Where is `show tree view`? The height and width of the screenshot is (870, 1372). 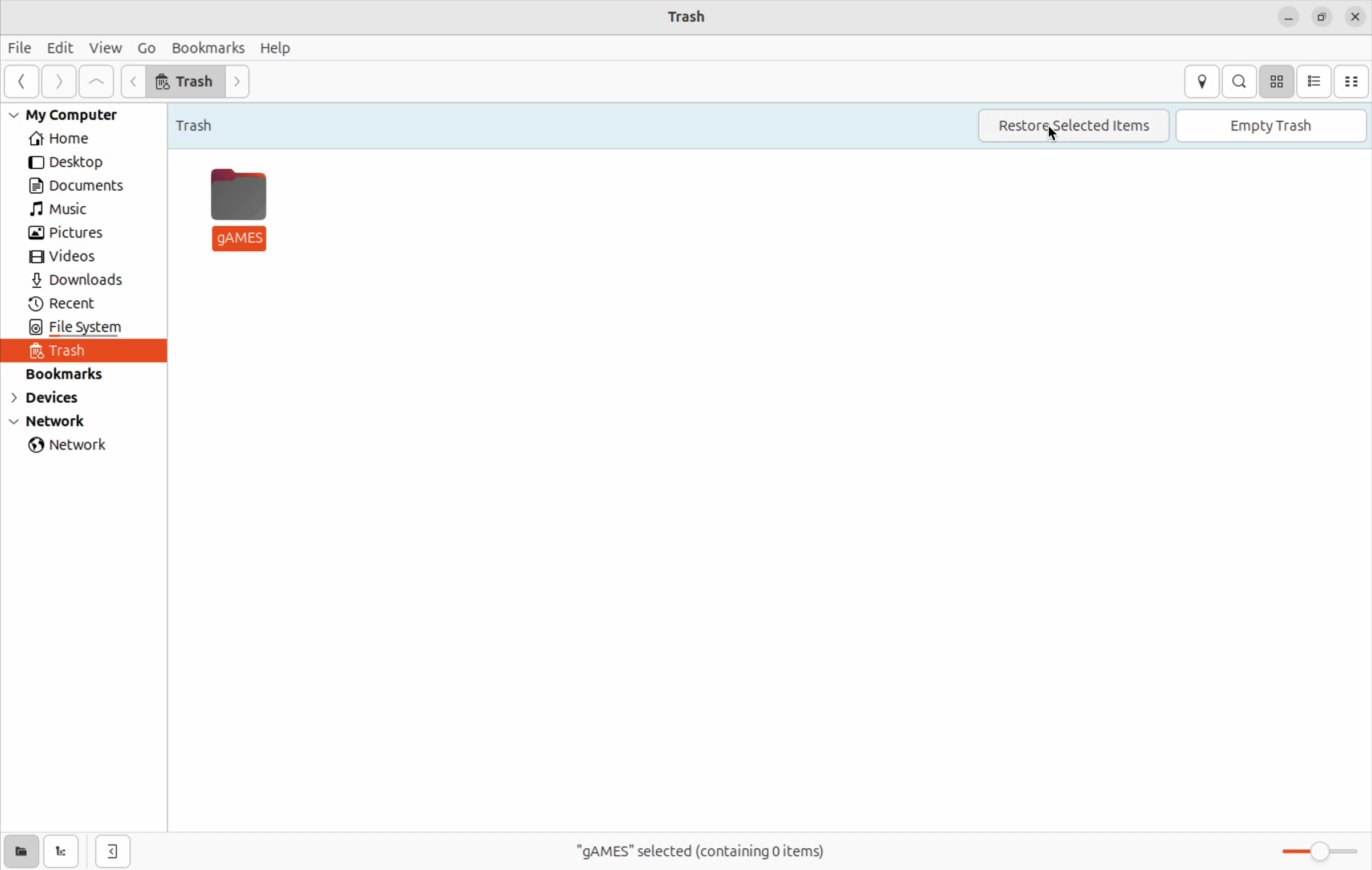 show tree view is located at coordinates (64, 852).